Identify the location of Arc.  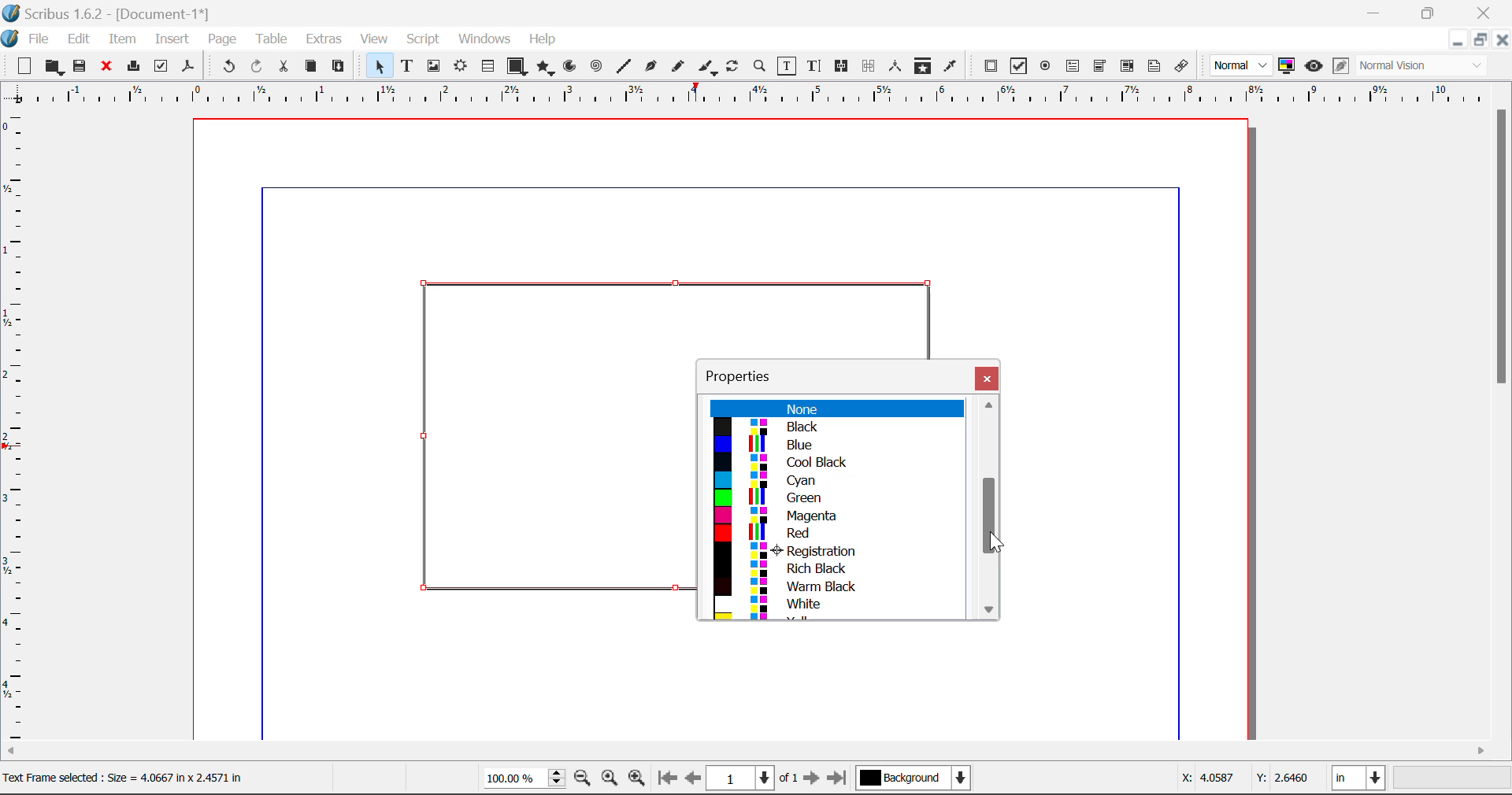
(571, 68).